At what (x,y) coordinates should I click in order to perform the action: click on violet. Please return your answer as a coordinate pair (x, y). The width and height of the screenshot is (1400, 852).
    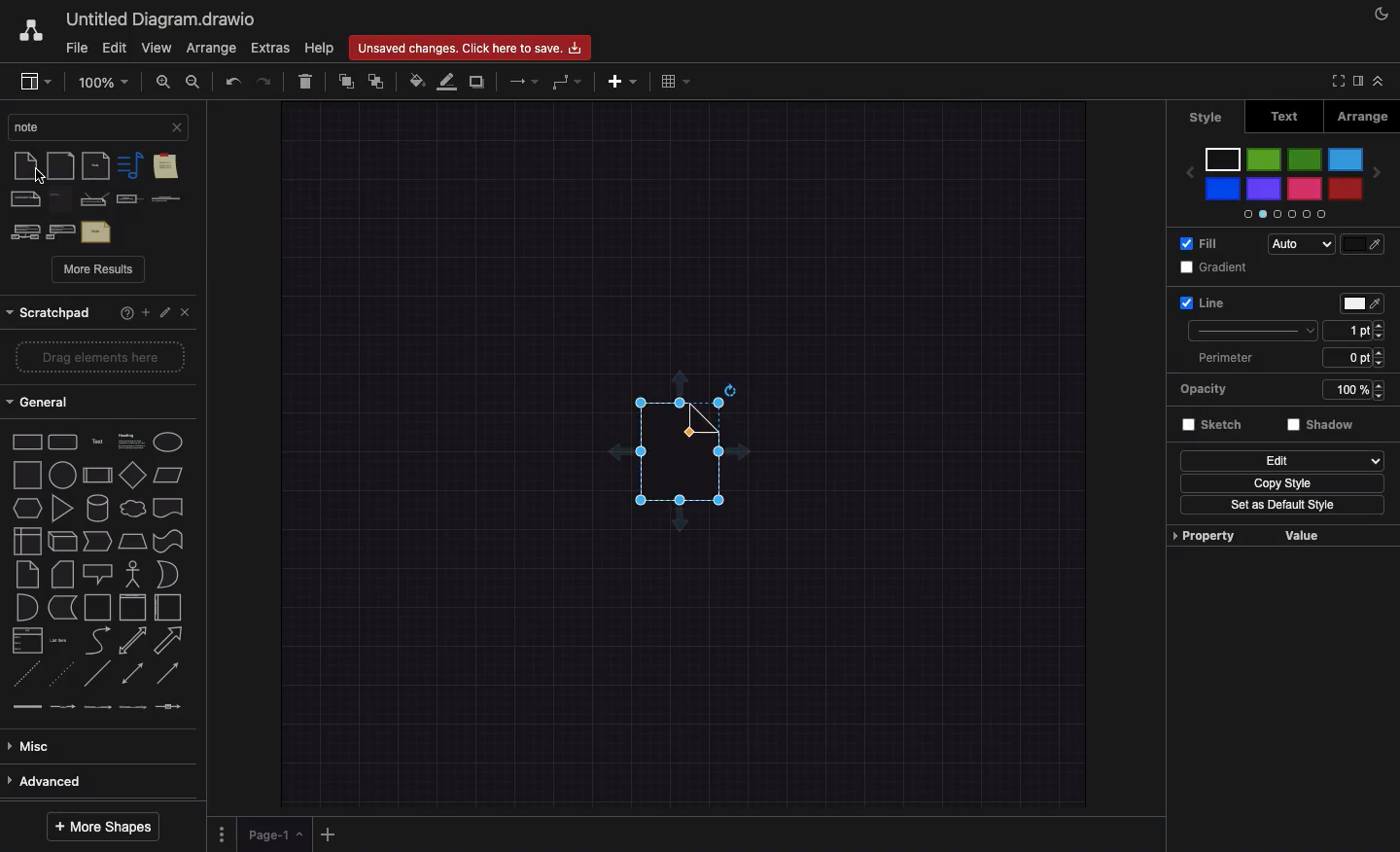
    Looking at the image, I should click on (1265, 190).